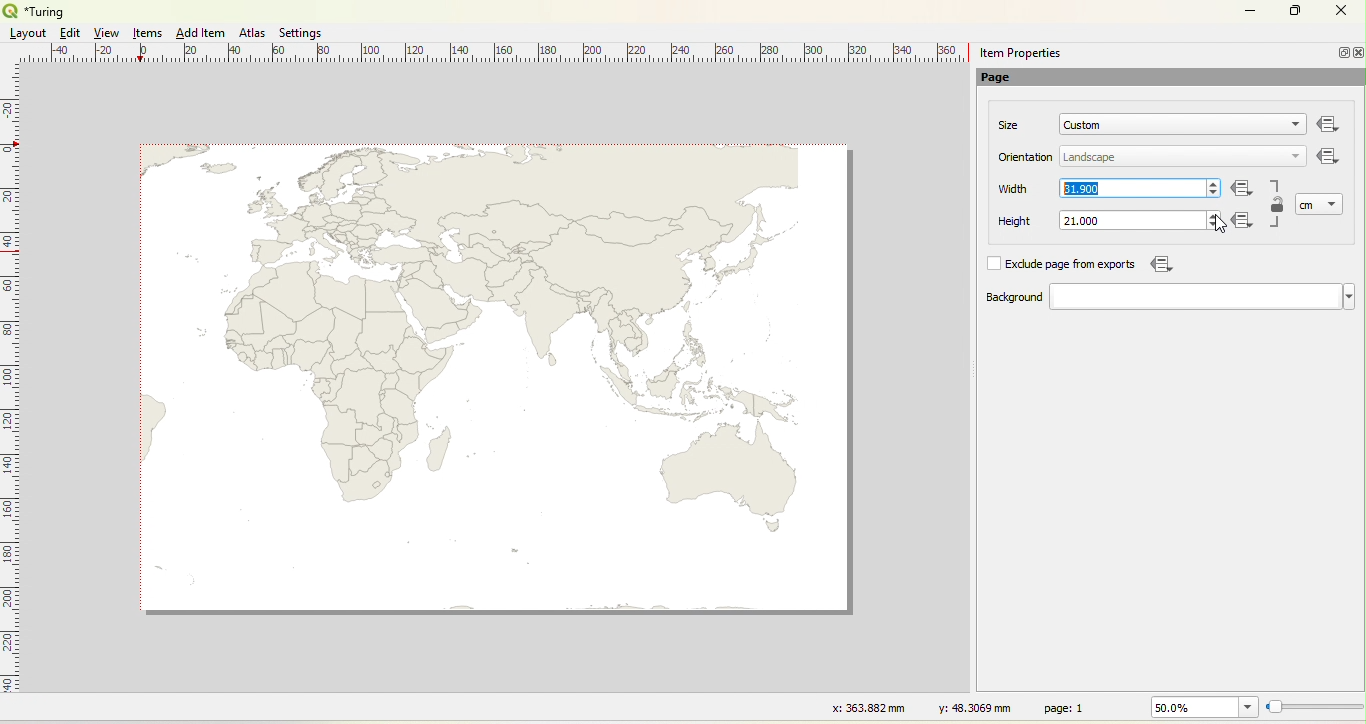  What do you see at coordinates (1027, 157) in the screenshot?
I see `Orientation` at bounding box center [1027, 157].